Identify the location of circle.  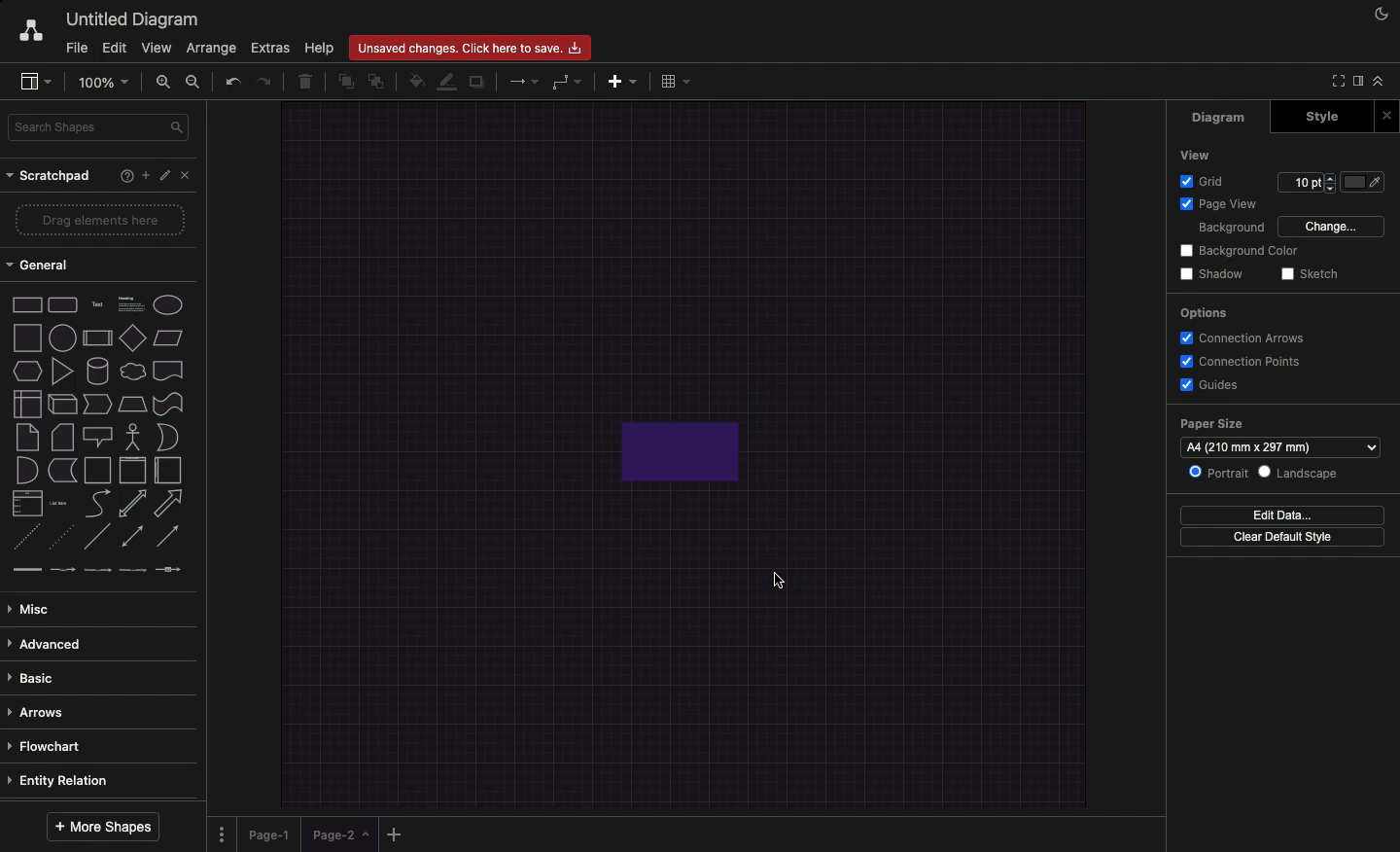
(61, 337).